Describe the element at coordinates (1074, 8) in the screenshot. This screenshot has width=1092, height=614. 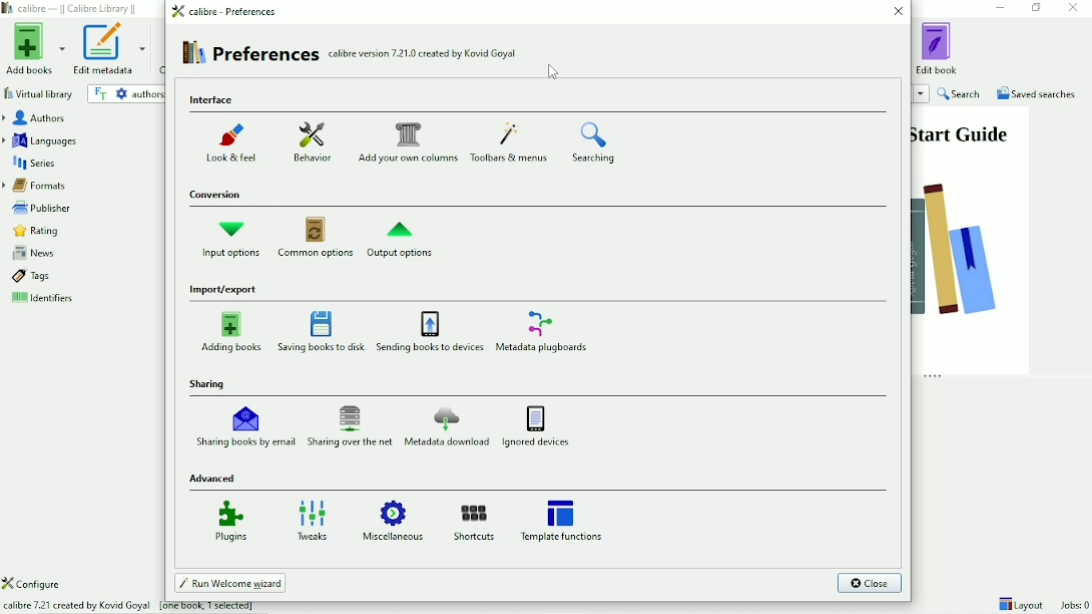
I see `Close` at that location.